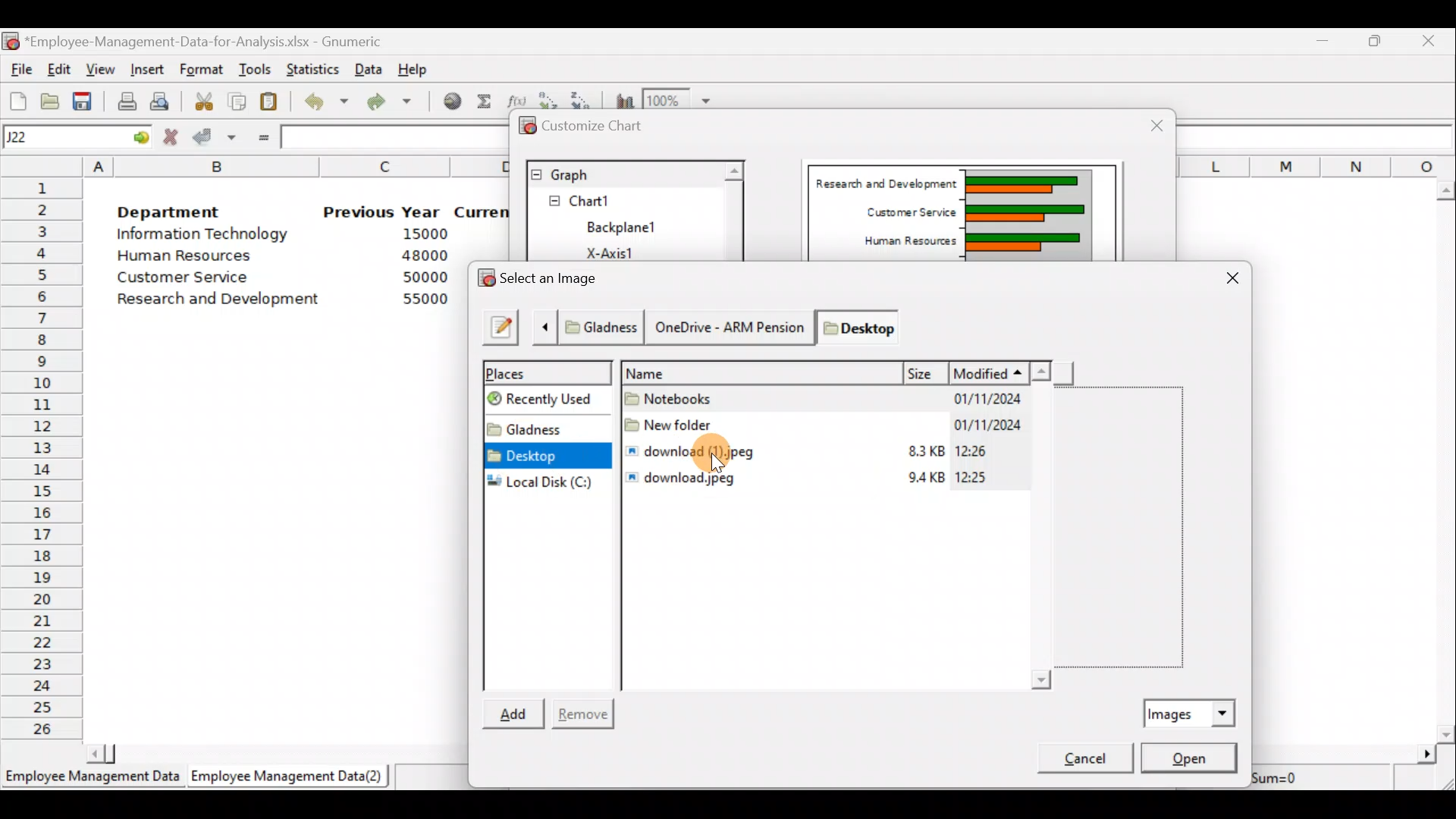 This screenshot has height=819, width=1456. What do you see at coordinates (883, 180) in the screenshot?
I see `Research and Development` at bounding box center [883, 180].